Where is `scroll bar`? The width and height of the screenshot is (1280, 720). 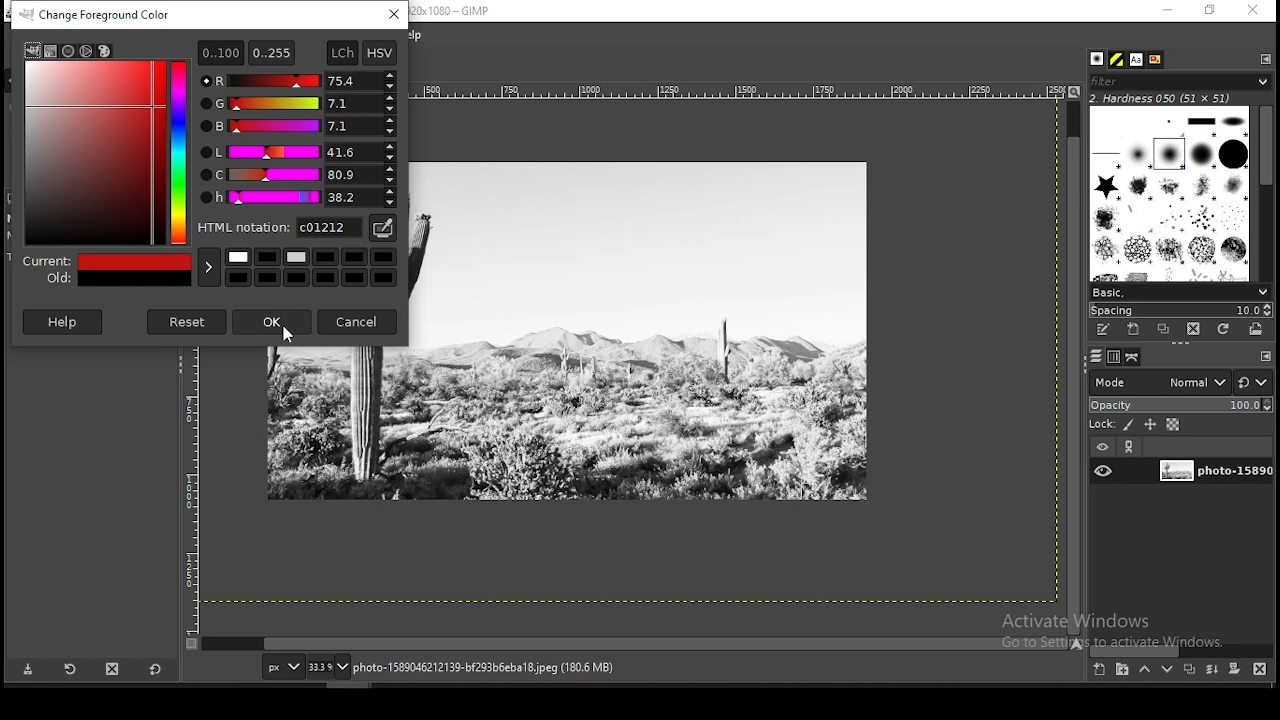
scroll bar is located at coordinates (1266, 191).